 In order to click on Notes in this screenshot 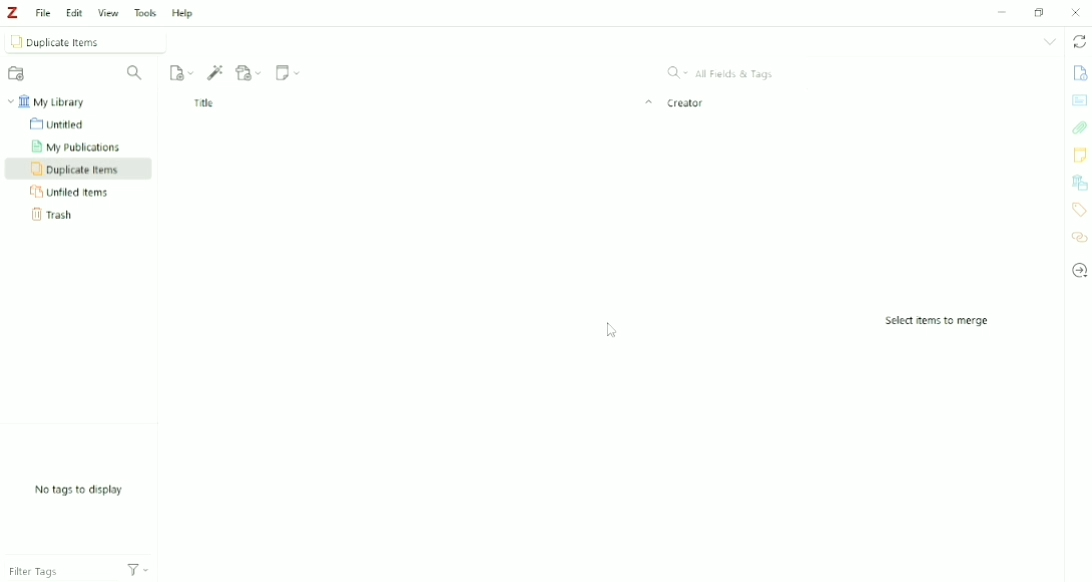, I will do `click(1080, 155)`.